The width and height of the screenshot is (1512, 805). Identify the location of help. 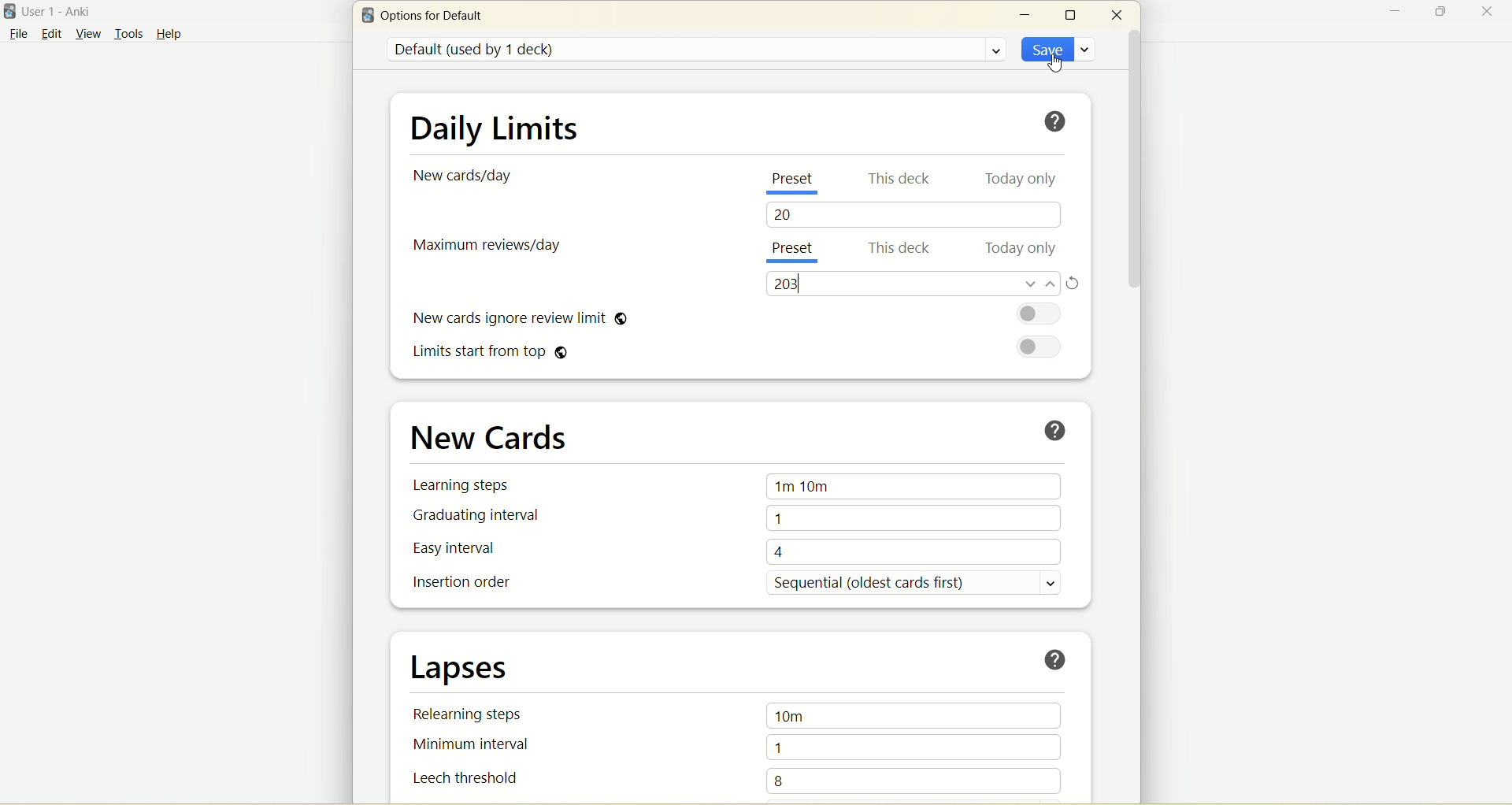
(1056, 427).